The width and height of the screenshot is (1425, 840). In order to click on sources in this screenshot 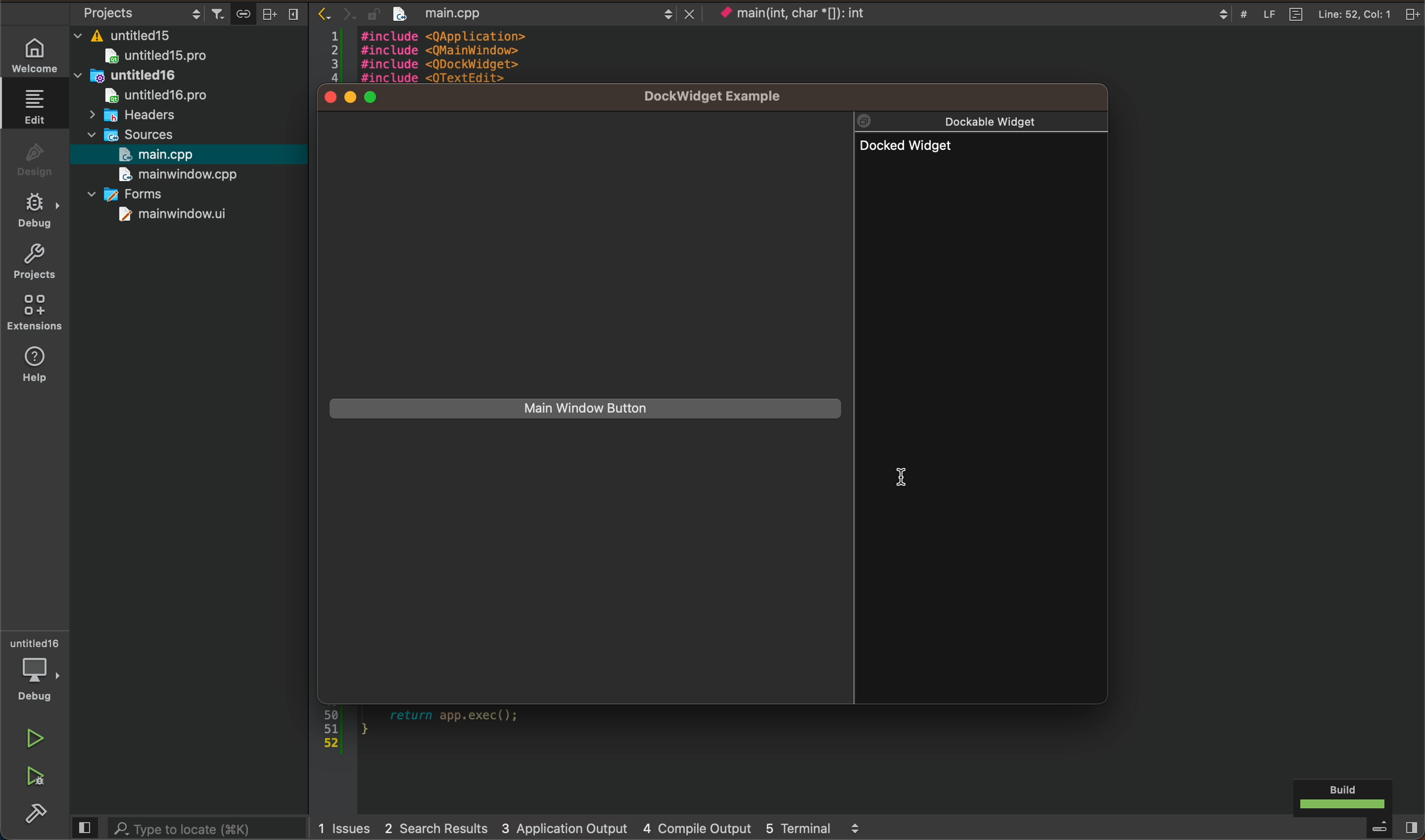, I will do `click(141, 132)`.